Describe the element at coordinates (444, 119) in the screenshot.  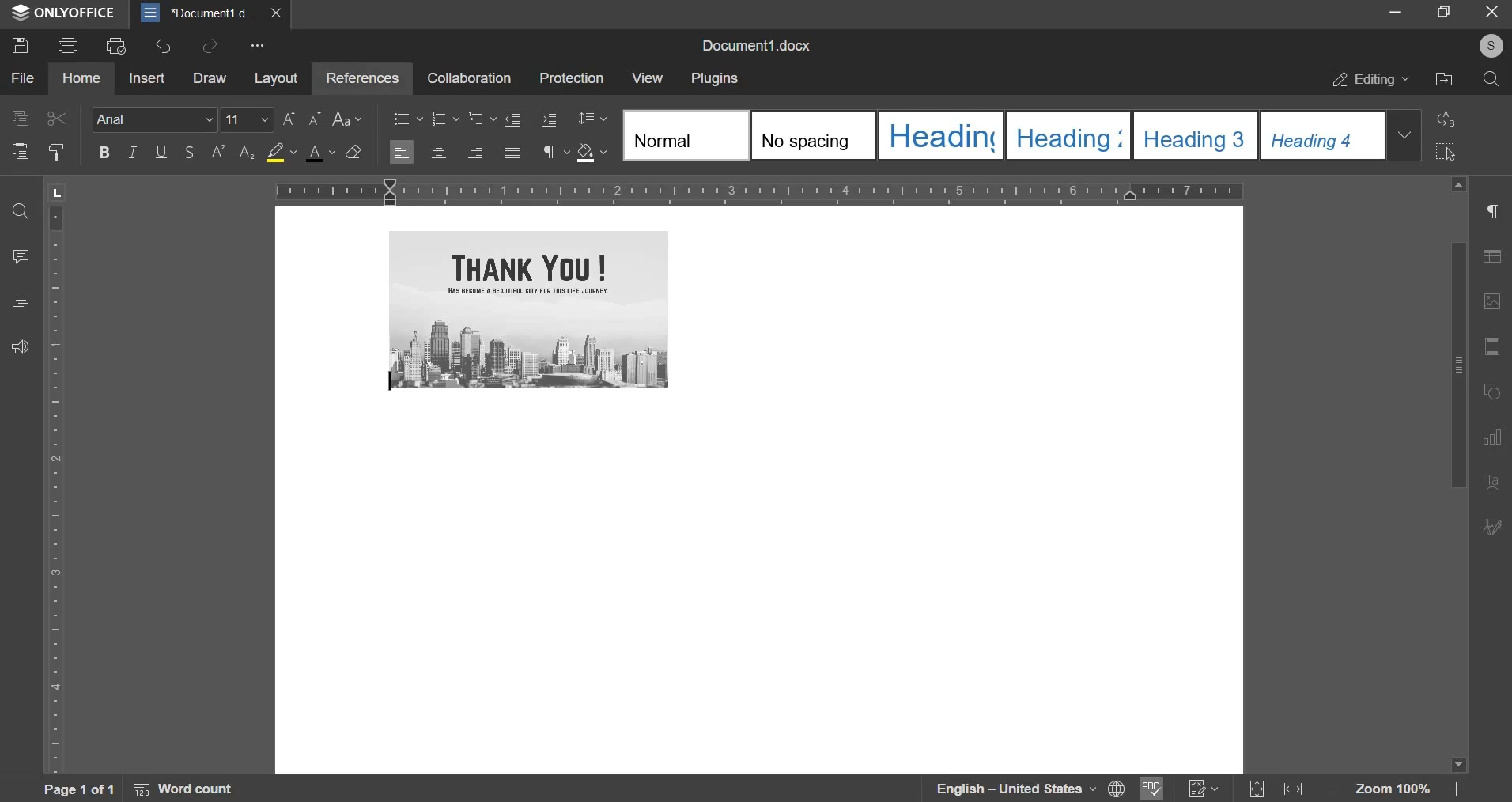
I see `numbering` at that location.